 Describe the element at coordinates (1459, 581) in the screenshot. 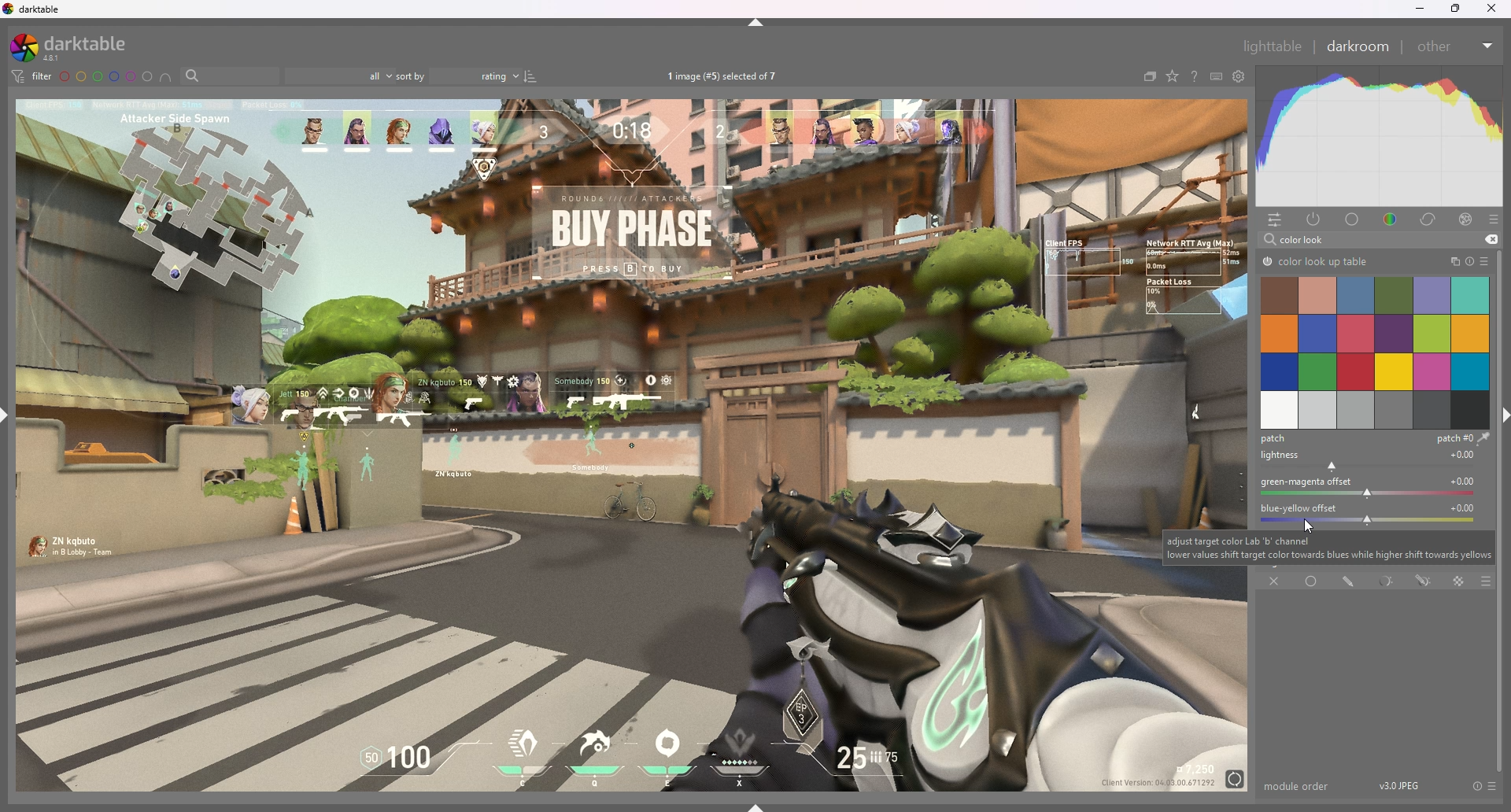

I see `raster mask` at that location.